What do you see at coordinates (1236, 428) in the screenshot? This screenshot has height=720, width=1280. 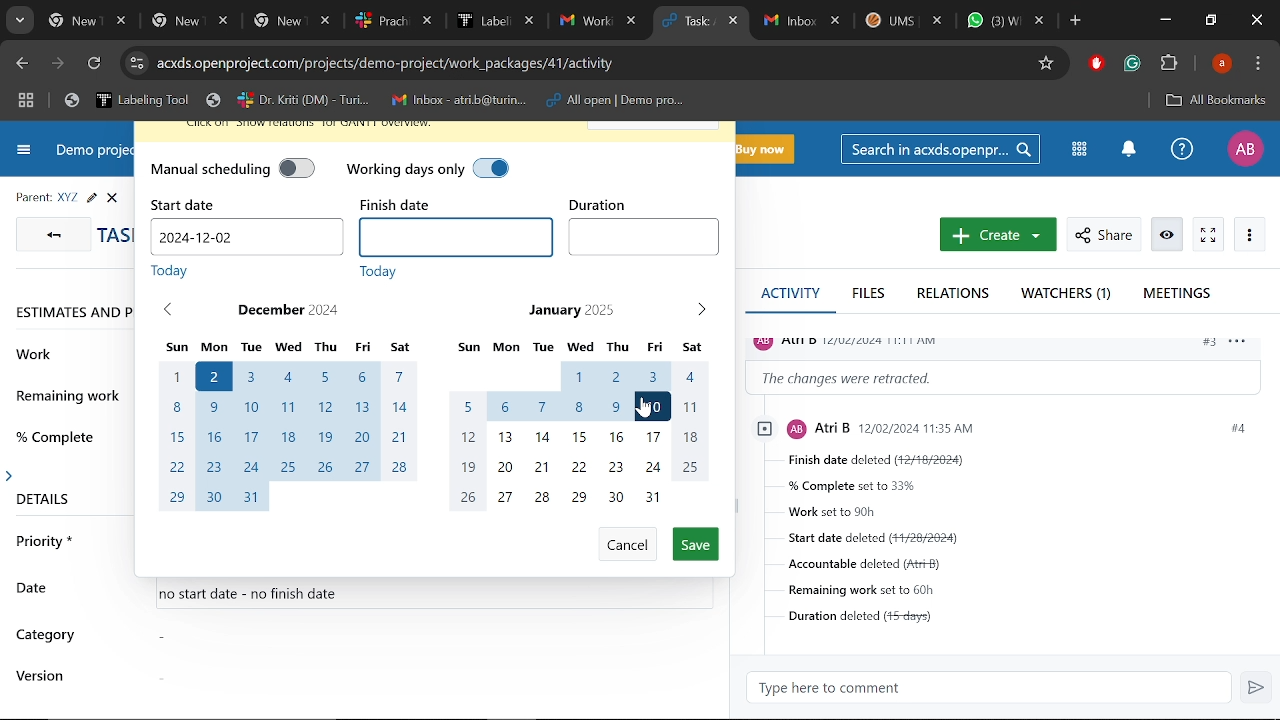 I see `#4` at bounding box center [1236, 428].